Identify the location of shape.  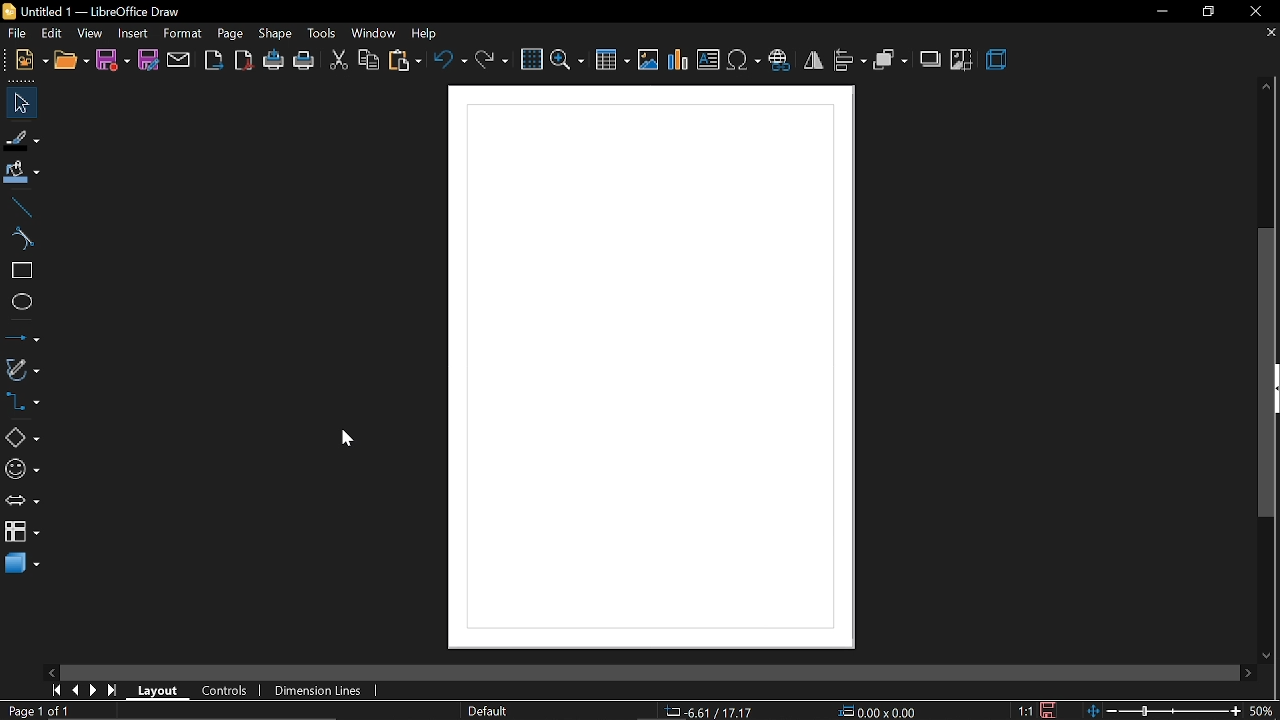
(278, 34).